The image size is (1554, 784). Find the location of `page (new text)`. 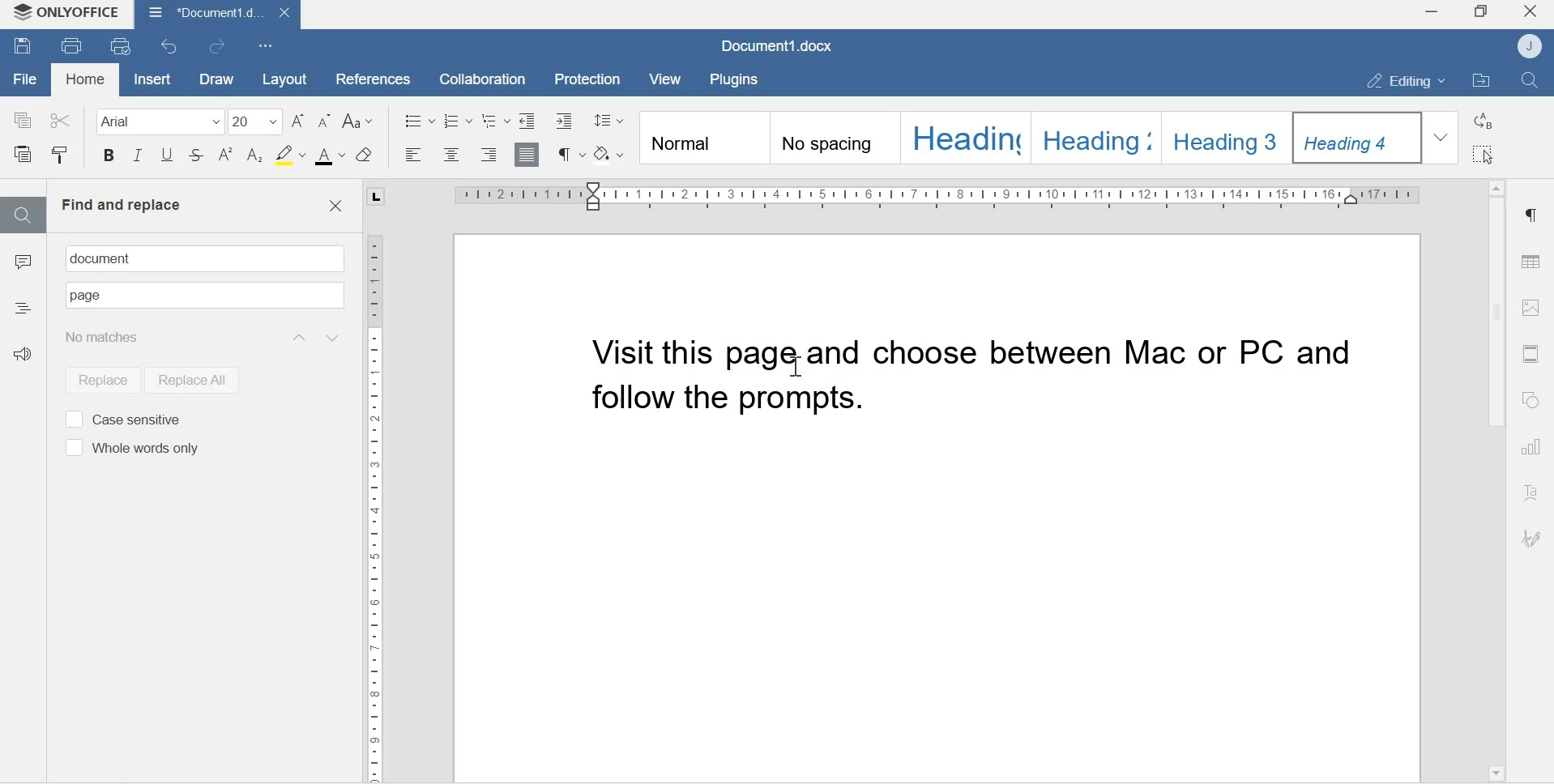

page (new text) is located at coordinates (762, 352).